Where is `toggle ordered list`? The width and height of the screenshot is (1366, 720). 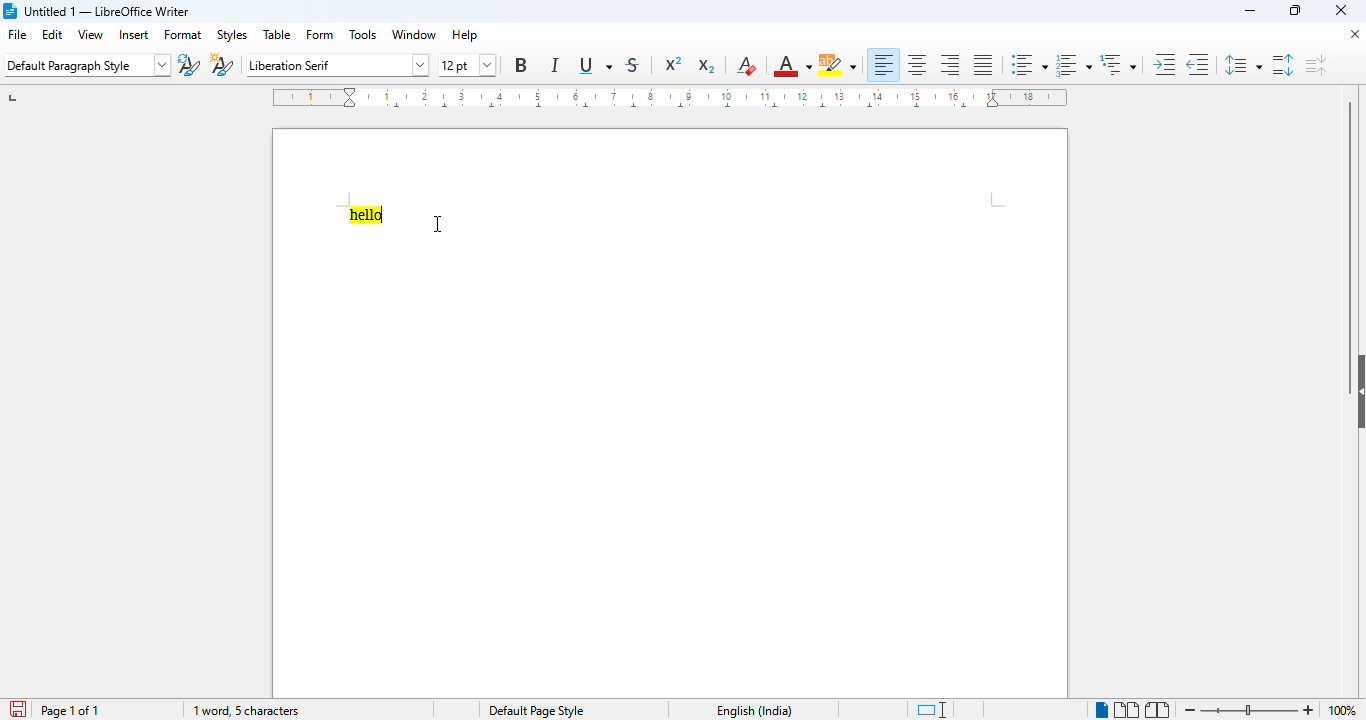
toggle ordered list is located at coordinates (1074, 64).